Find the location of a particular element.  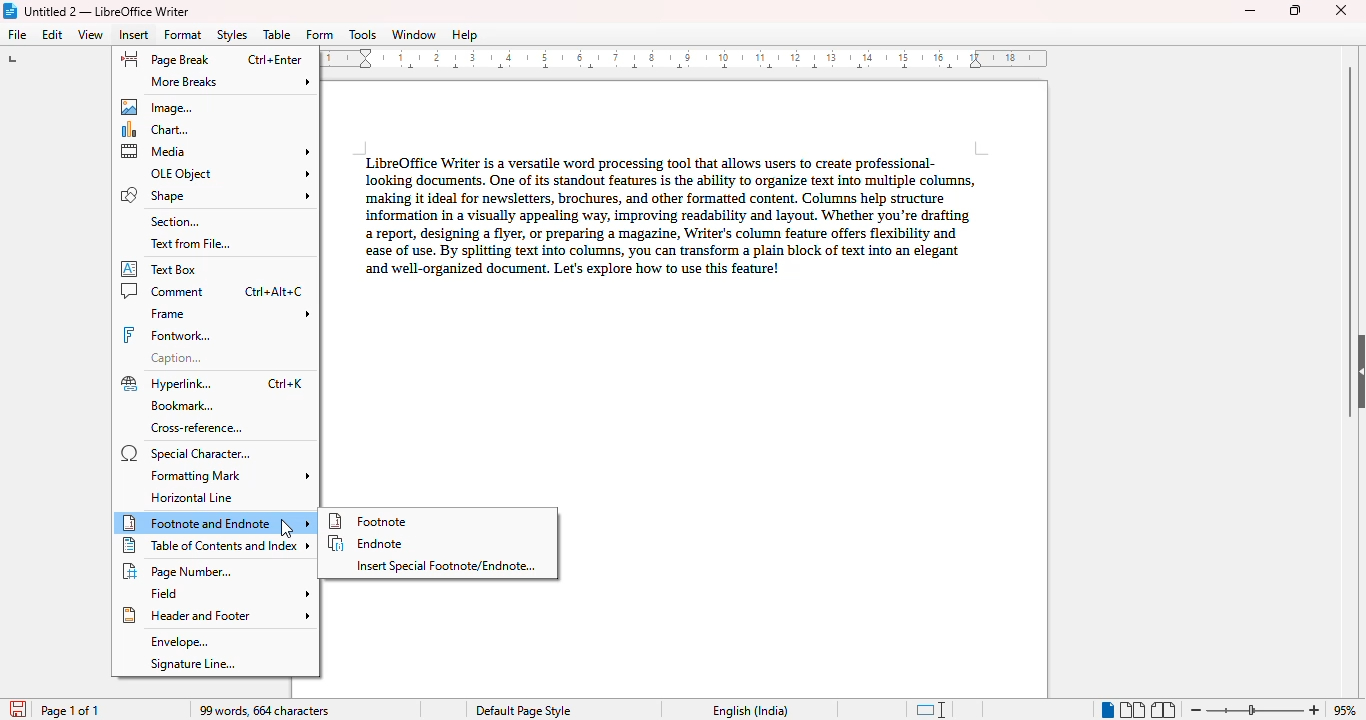

footnote is located at coordinates (370, 521).